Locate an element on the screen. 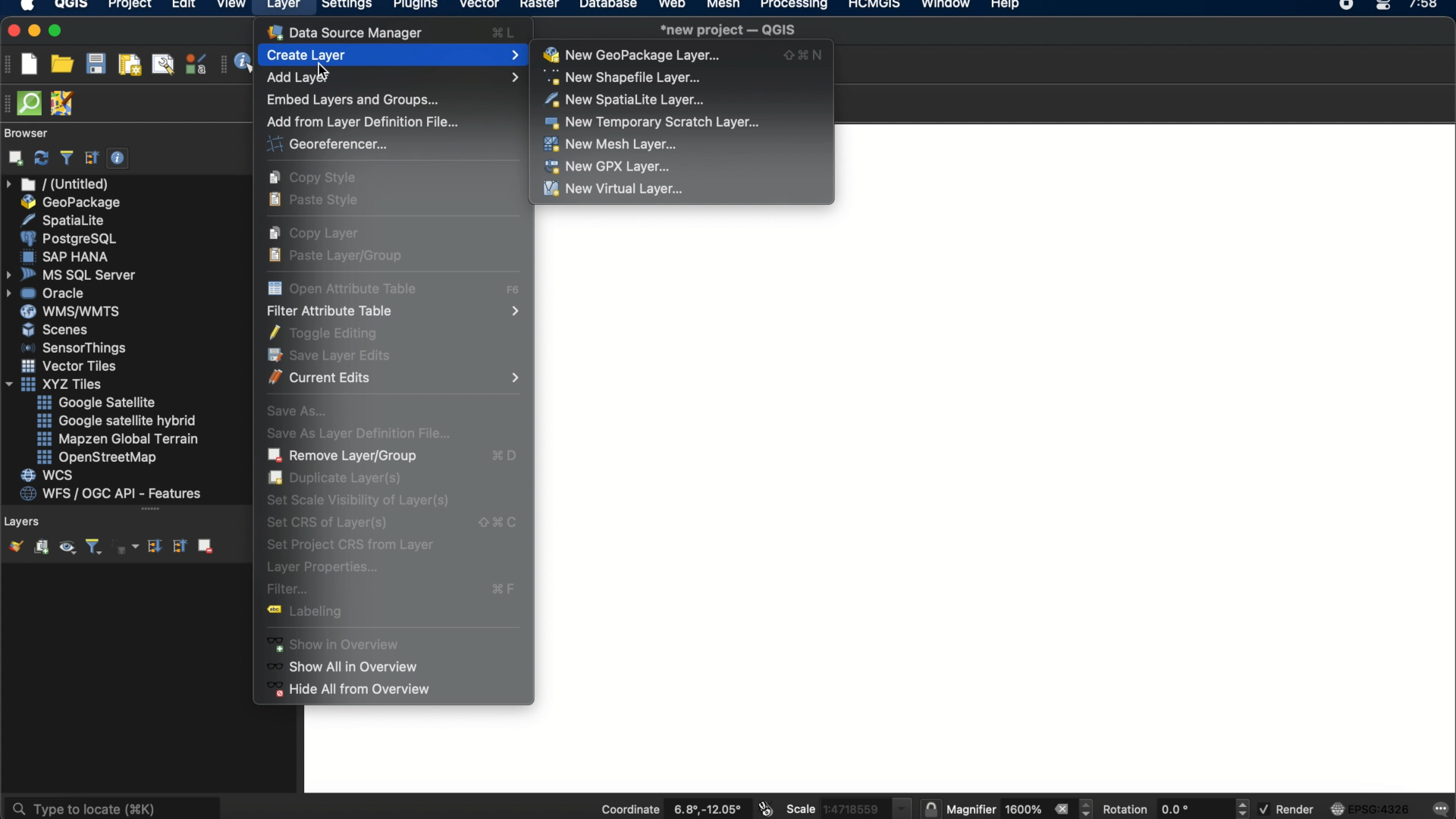  workspace is located at coordinates (1145, 168).